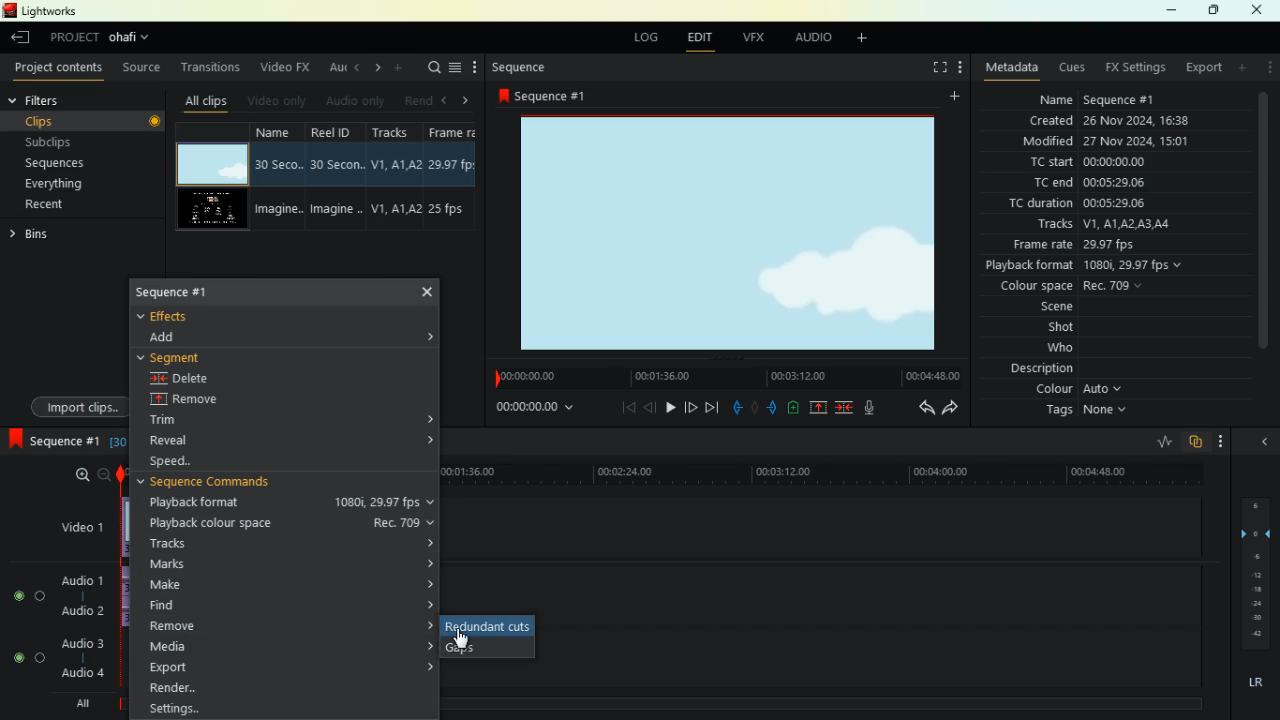 Image resolution: width=1280 pixels, height=720 pixels. What do you see at coordinates (21, 39) in the screenshot?
I see `leave` at bounding box center [21, 39].